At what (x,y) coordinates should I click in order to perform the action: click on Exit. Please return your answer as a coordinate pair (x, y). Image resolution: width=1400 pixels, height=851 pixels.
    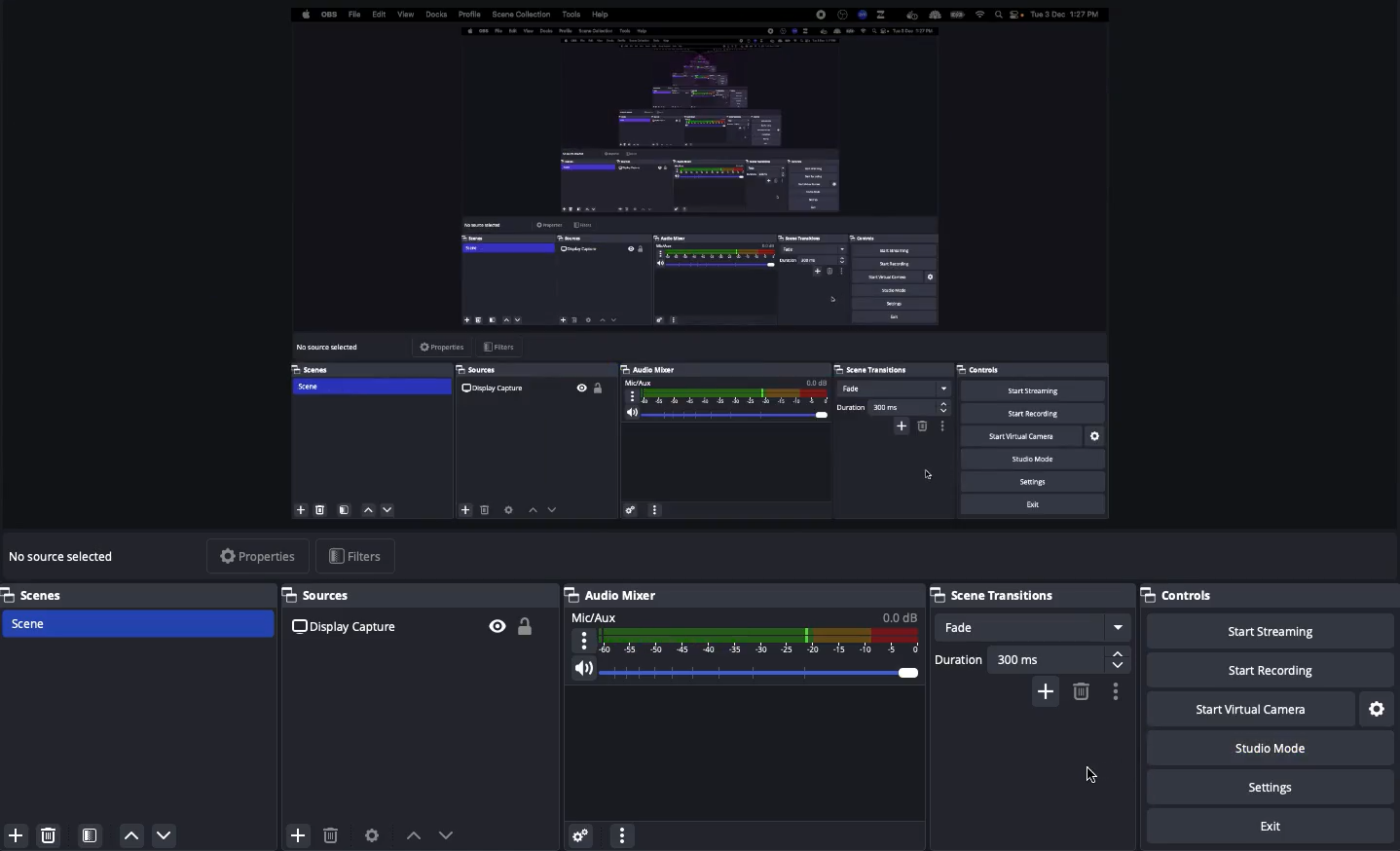
    Looking at the image, I should click on (1269, 828).